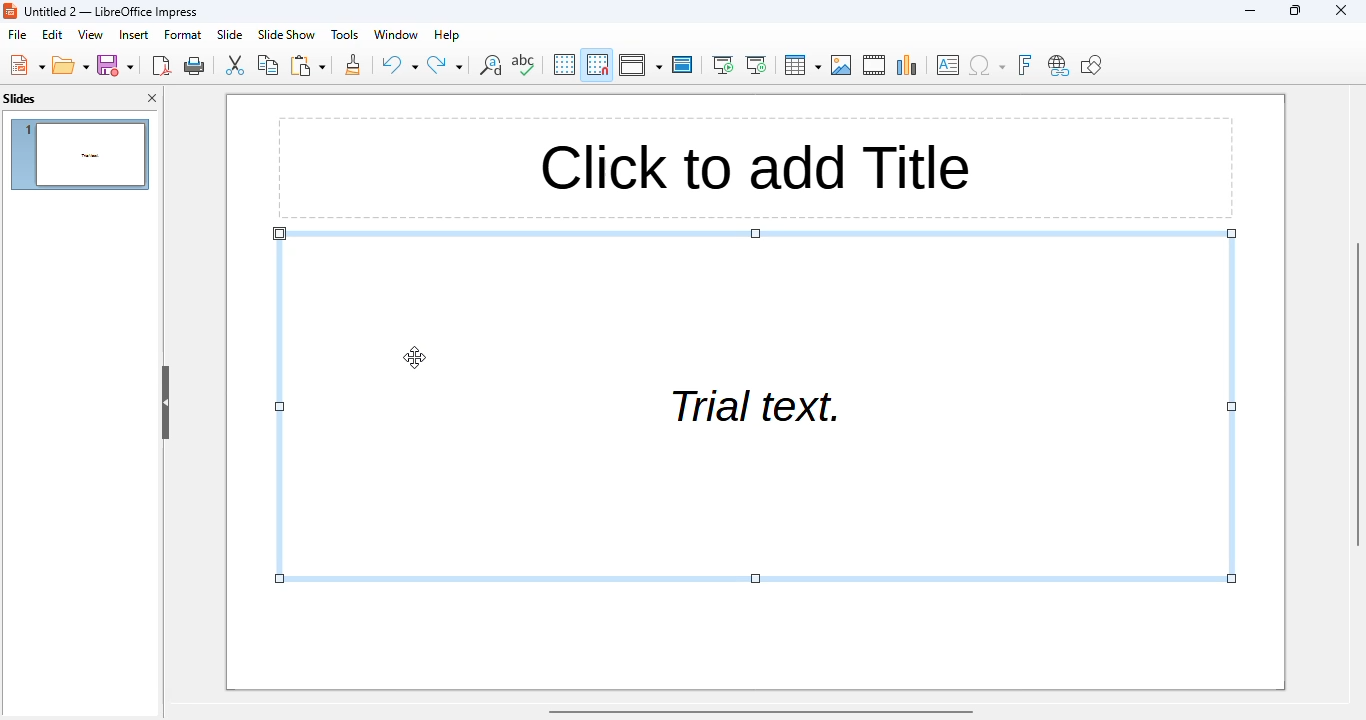 The image size is (1366, 720). I want to click on insert audio or video, so click(875, 65).